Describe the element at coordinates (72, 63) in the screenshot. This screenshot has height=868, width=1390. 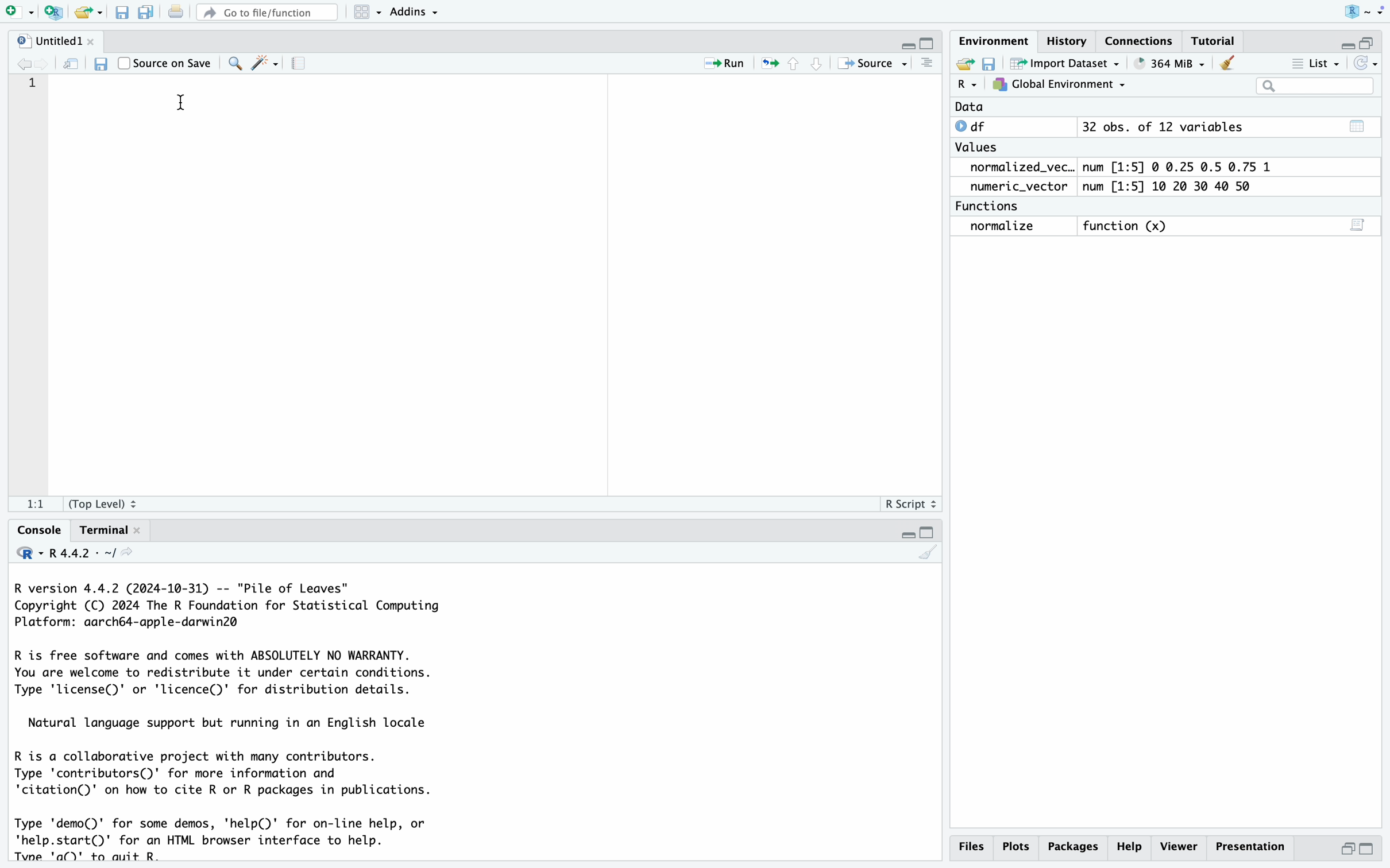
I see `Refresh` at that location.